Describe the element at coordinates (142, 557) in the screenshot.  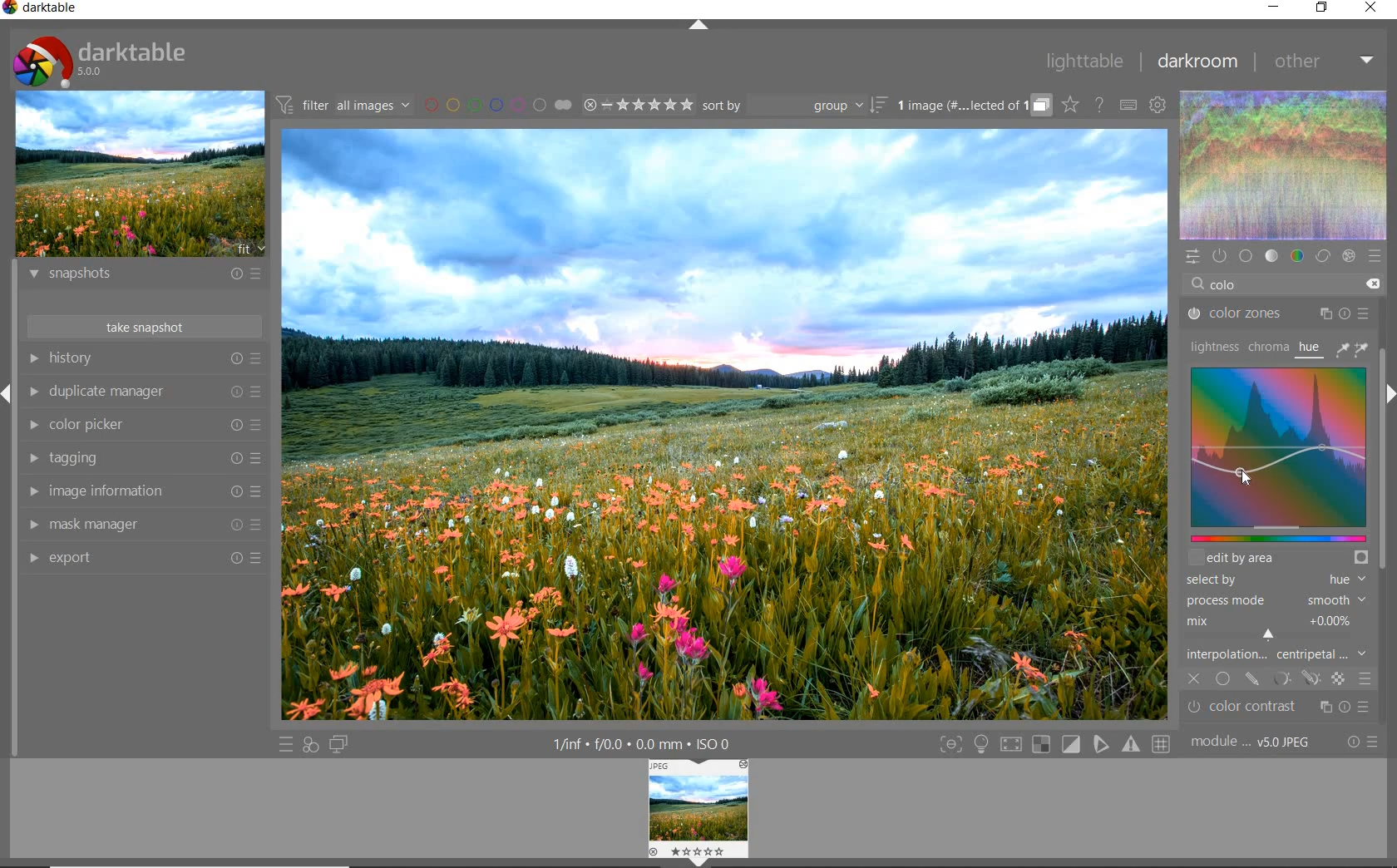
I see `export` at that location.